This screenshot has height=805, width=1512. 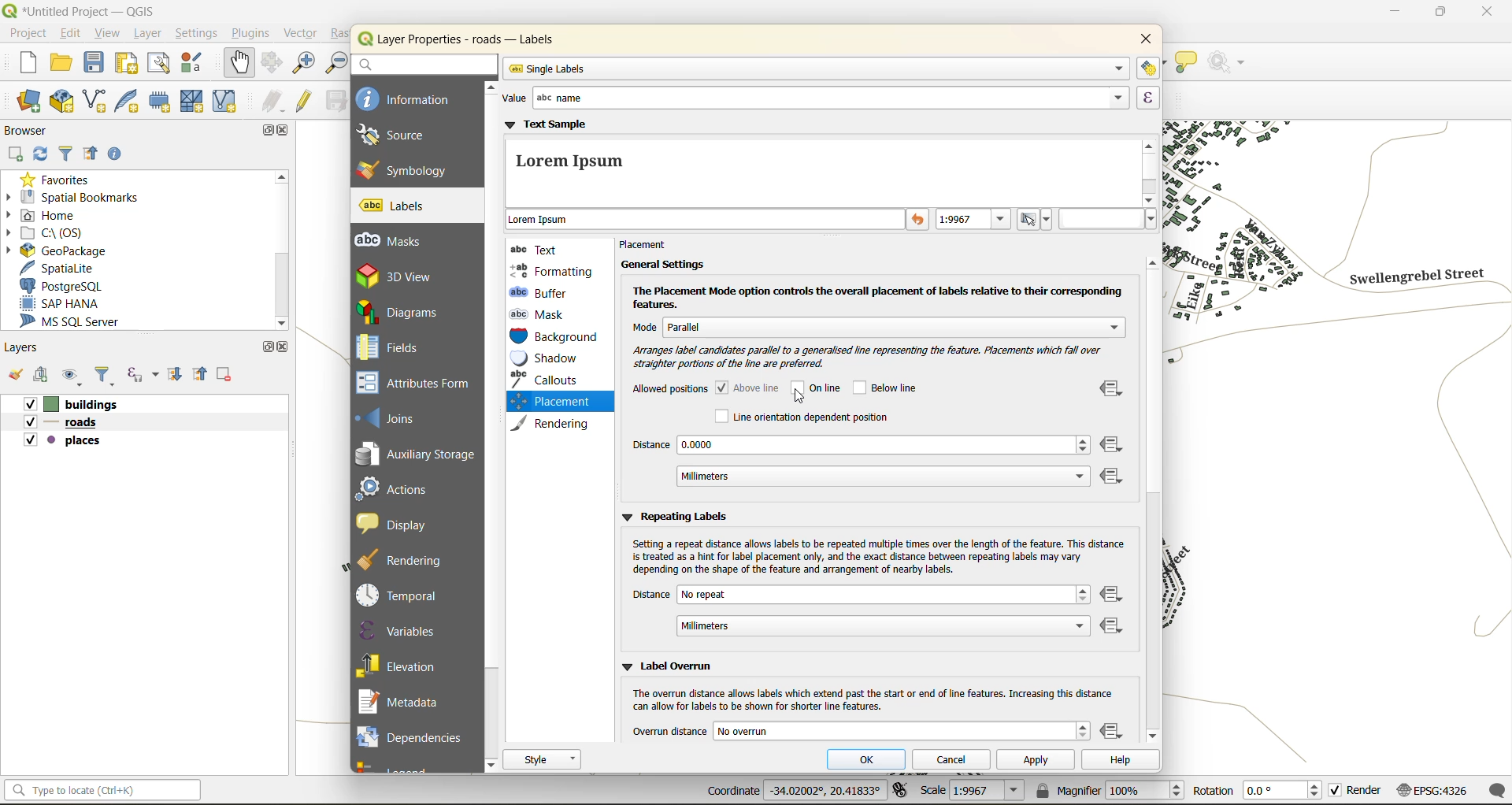 I want to click on below line, so click(x=891, y=388).